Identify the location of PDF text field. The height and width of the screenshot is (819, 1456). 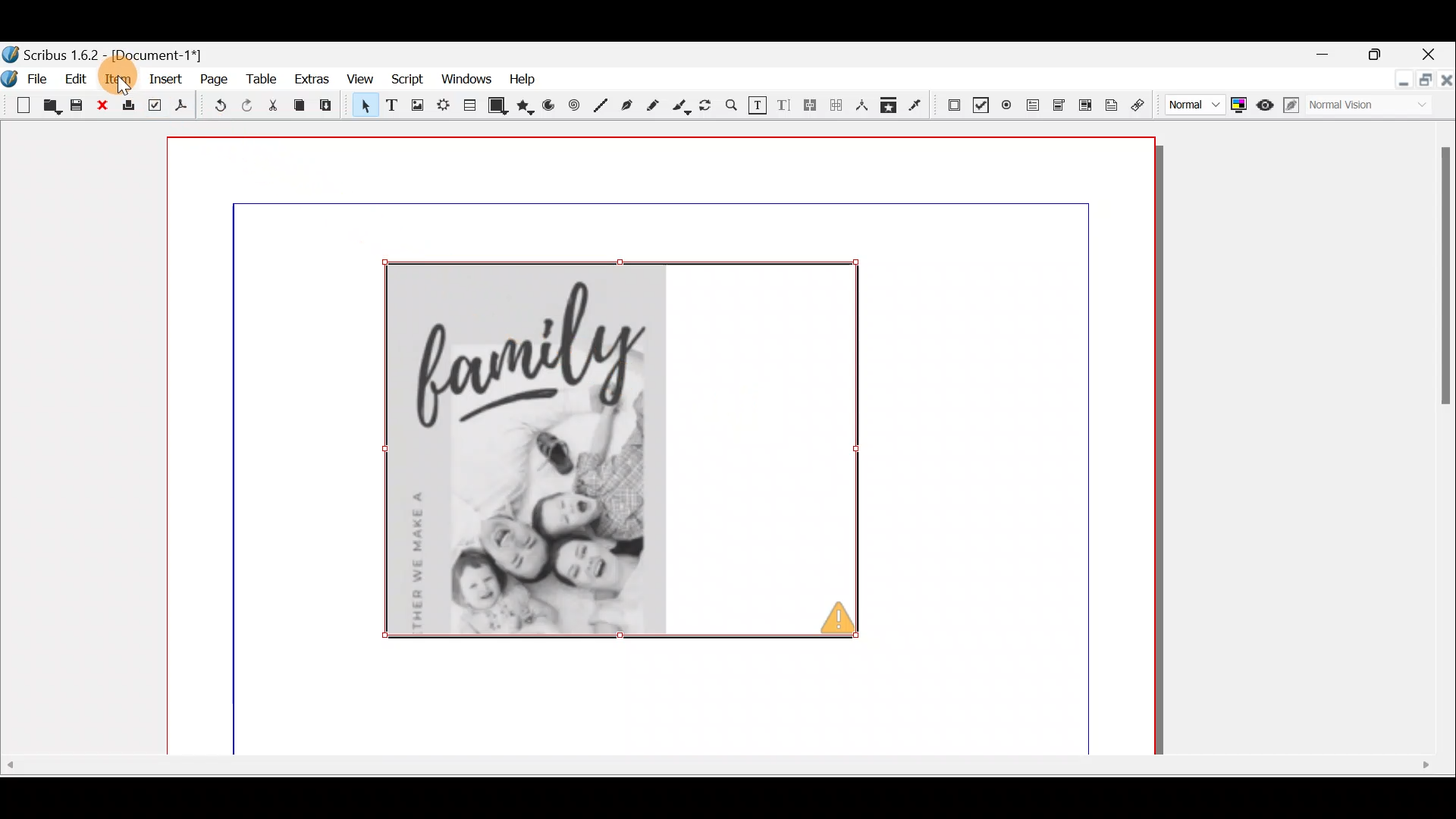
(1031, 105).